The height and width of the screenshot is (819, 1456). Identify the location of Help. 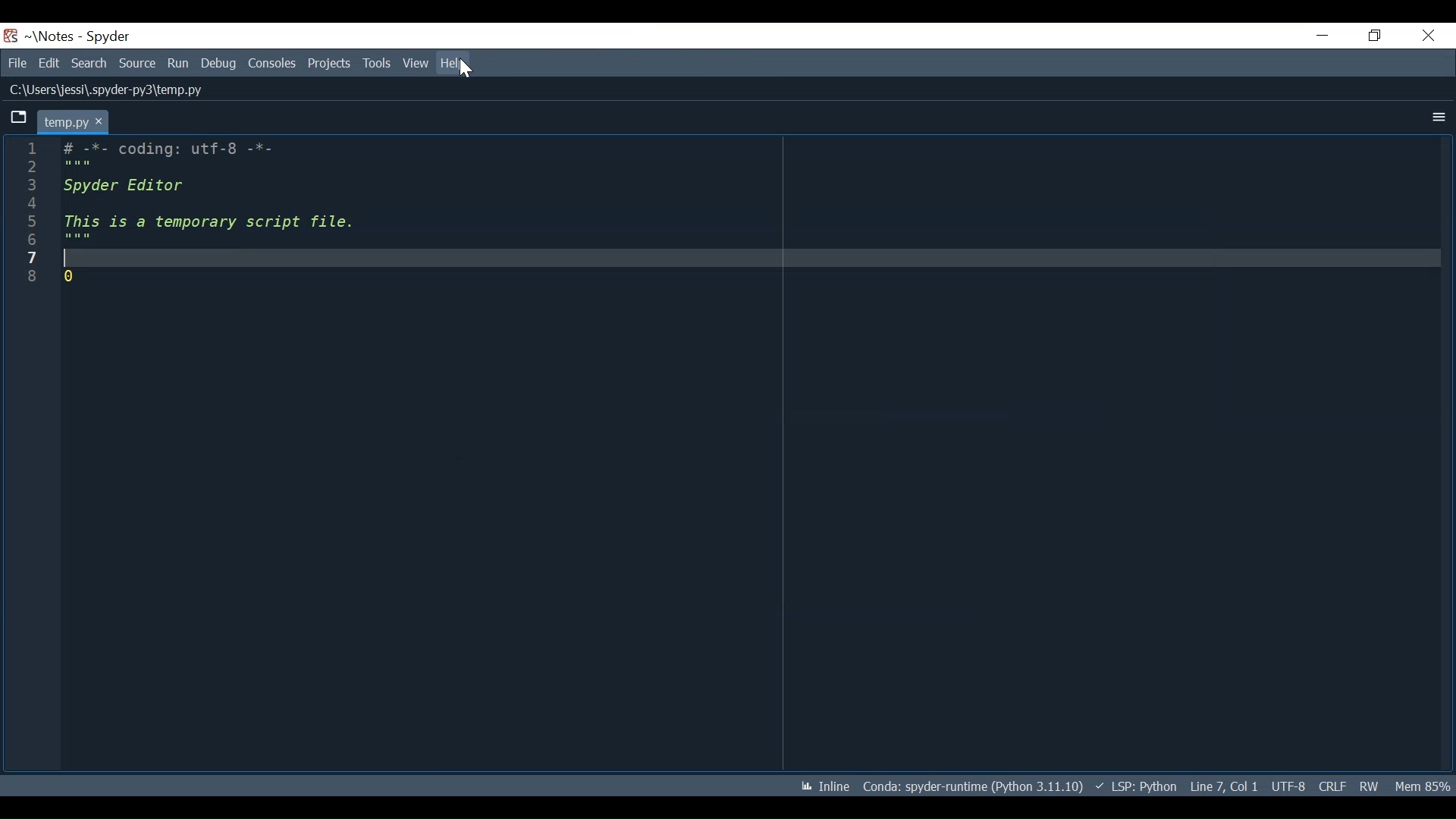
(456, 61).